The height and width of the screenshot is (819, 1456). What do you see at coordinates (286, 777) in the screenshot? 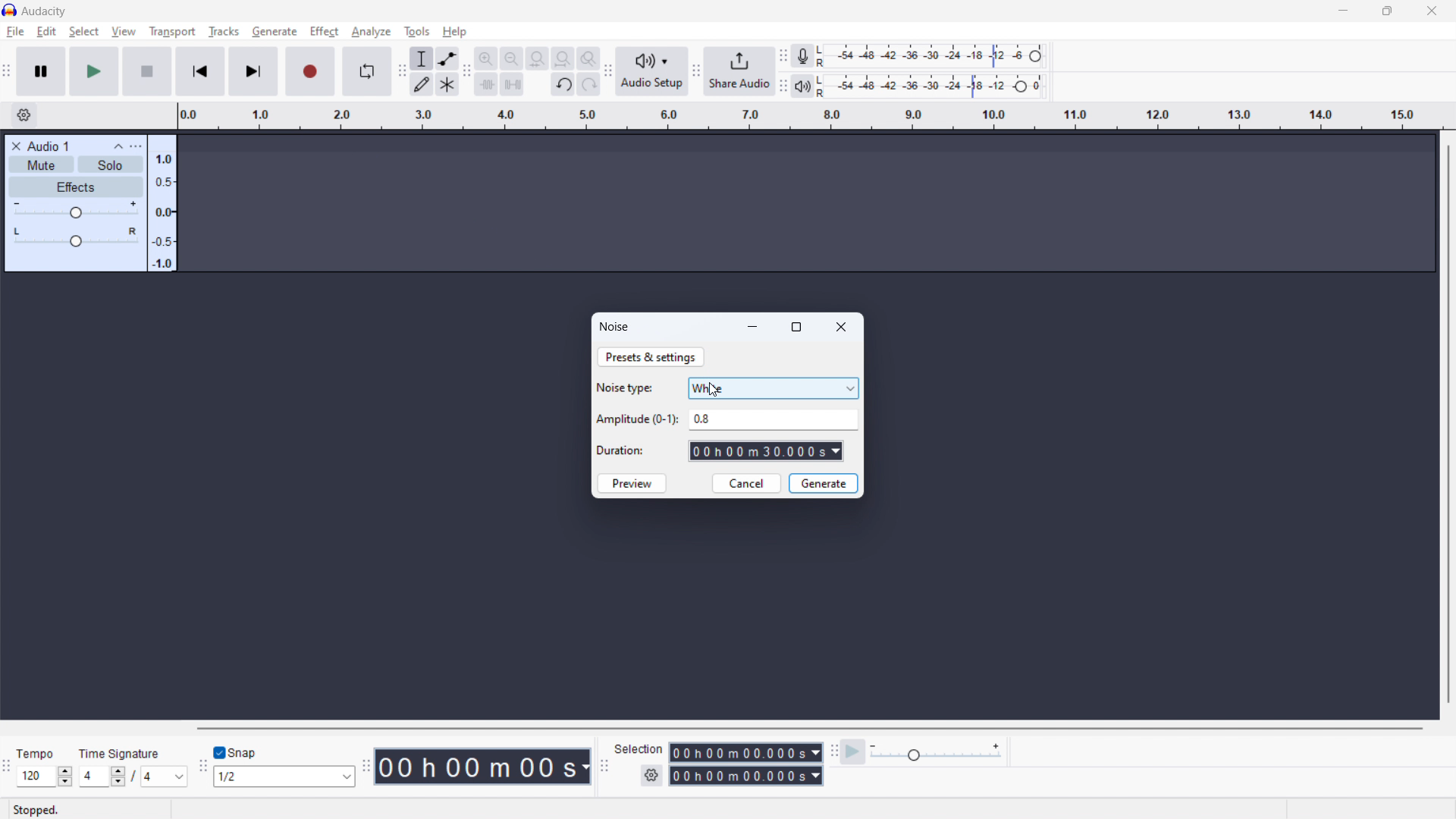
I see `select snapping` at bounding box center [286, 777].